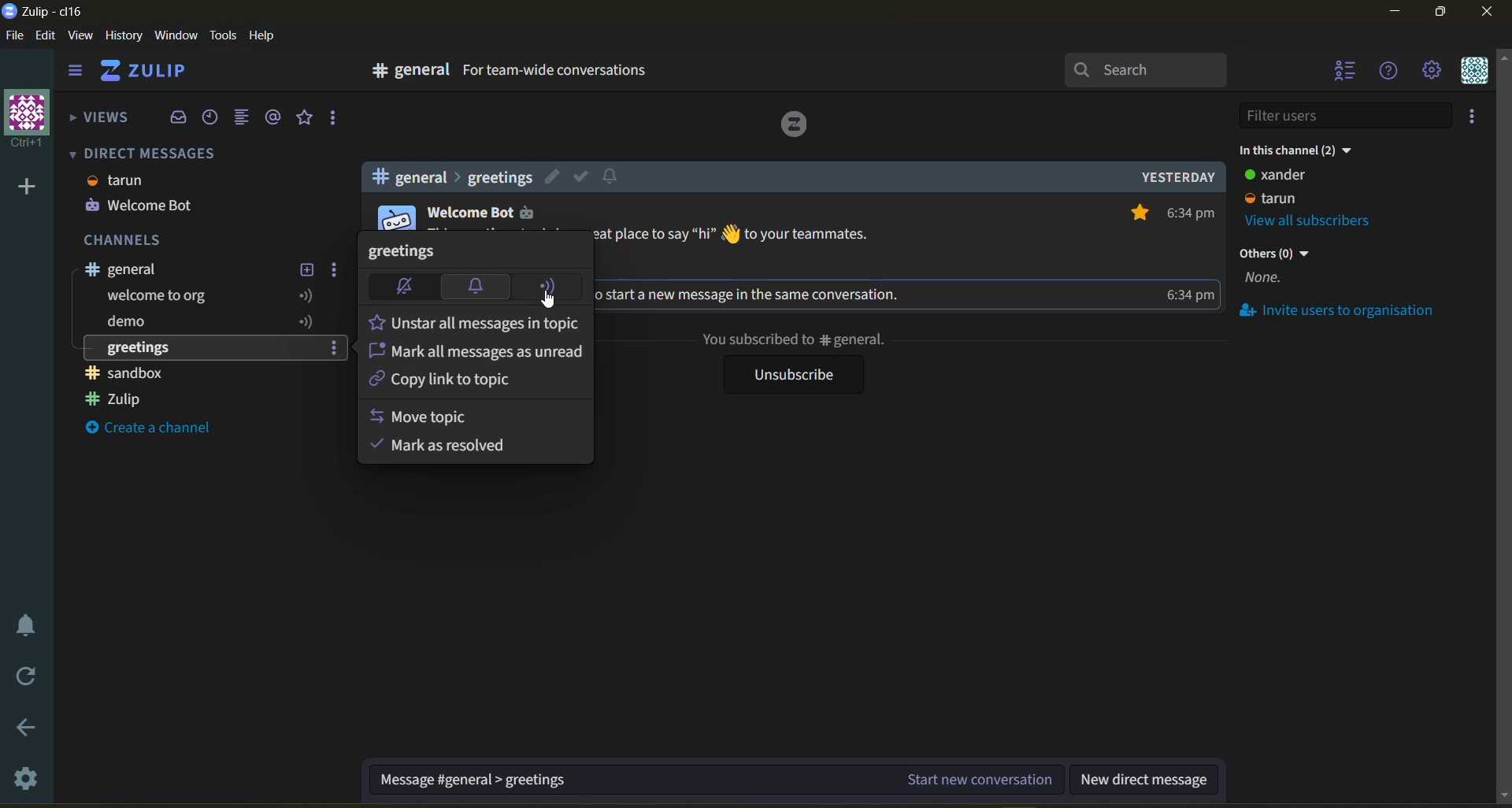  Describe the element at coordinates (1399, 12) in the screenshot. I see `minimize` at that location.